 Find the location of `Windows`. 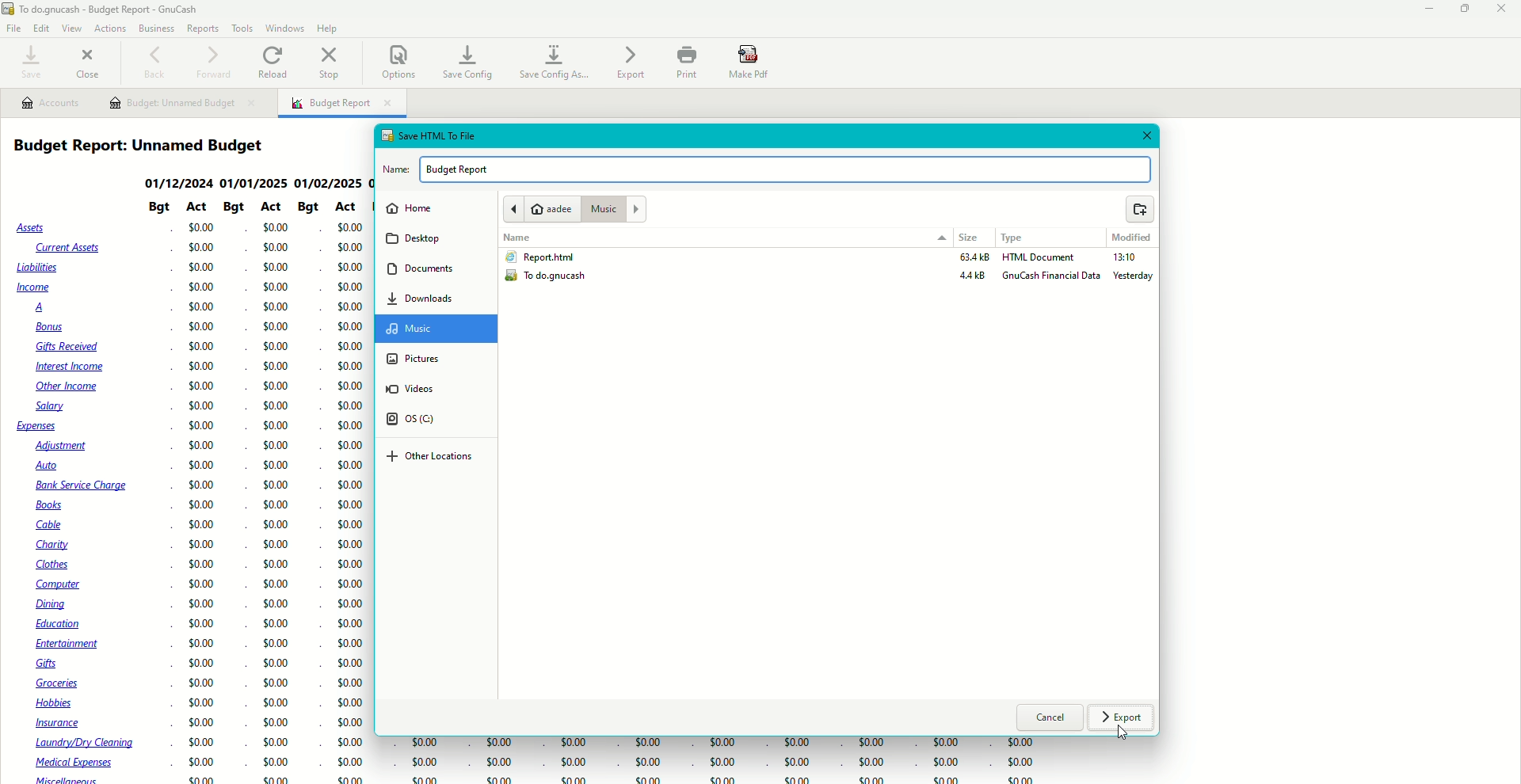

Windows is located at coordinates (287, 28).